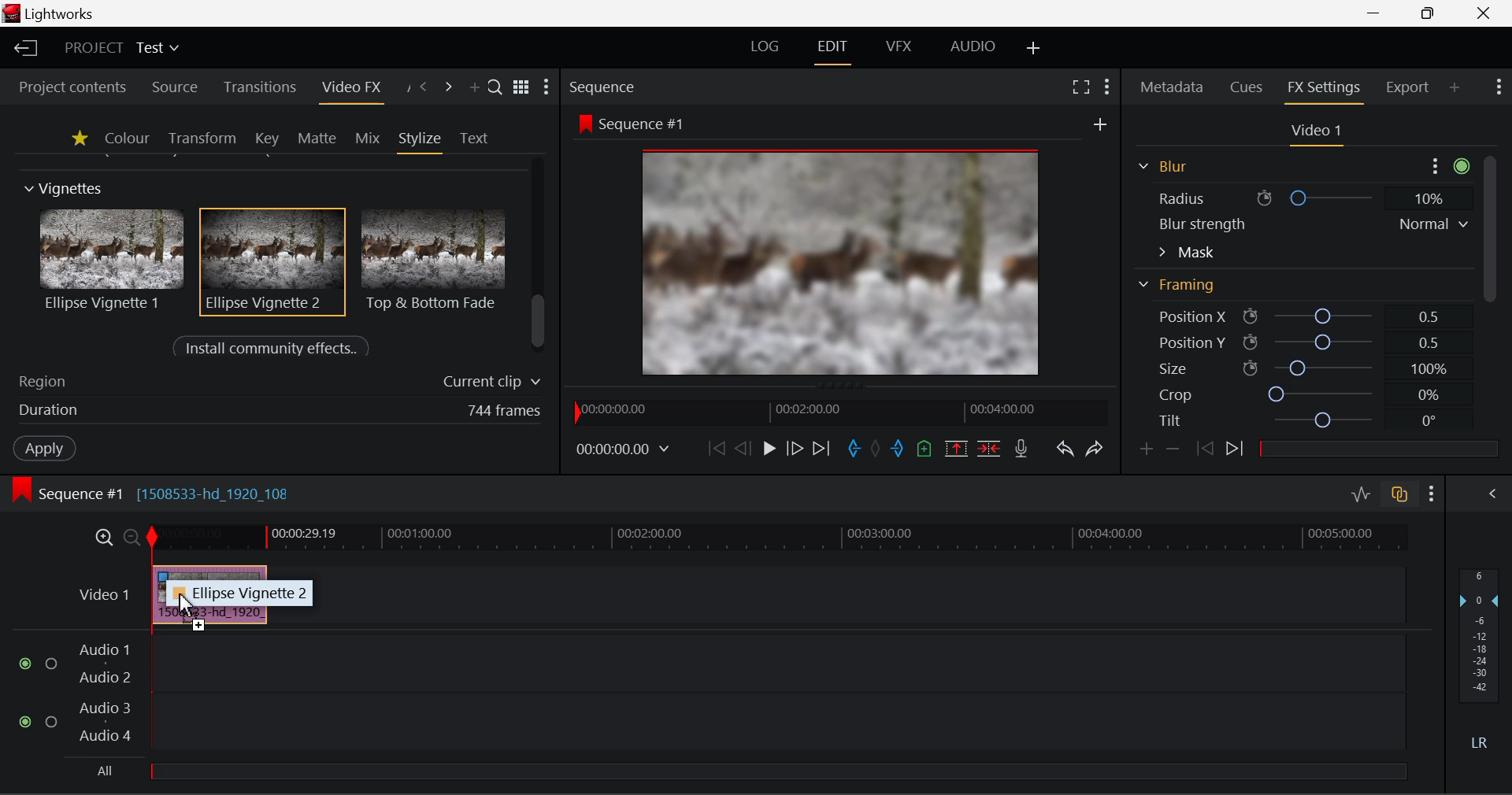 This screenshot has width=1512, height=795. I want to click on Go Back, so click(743, 449).